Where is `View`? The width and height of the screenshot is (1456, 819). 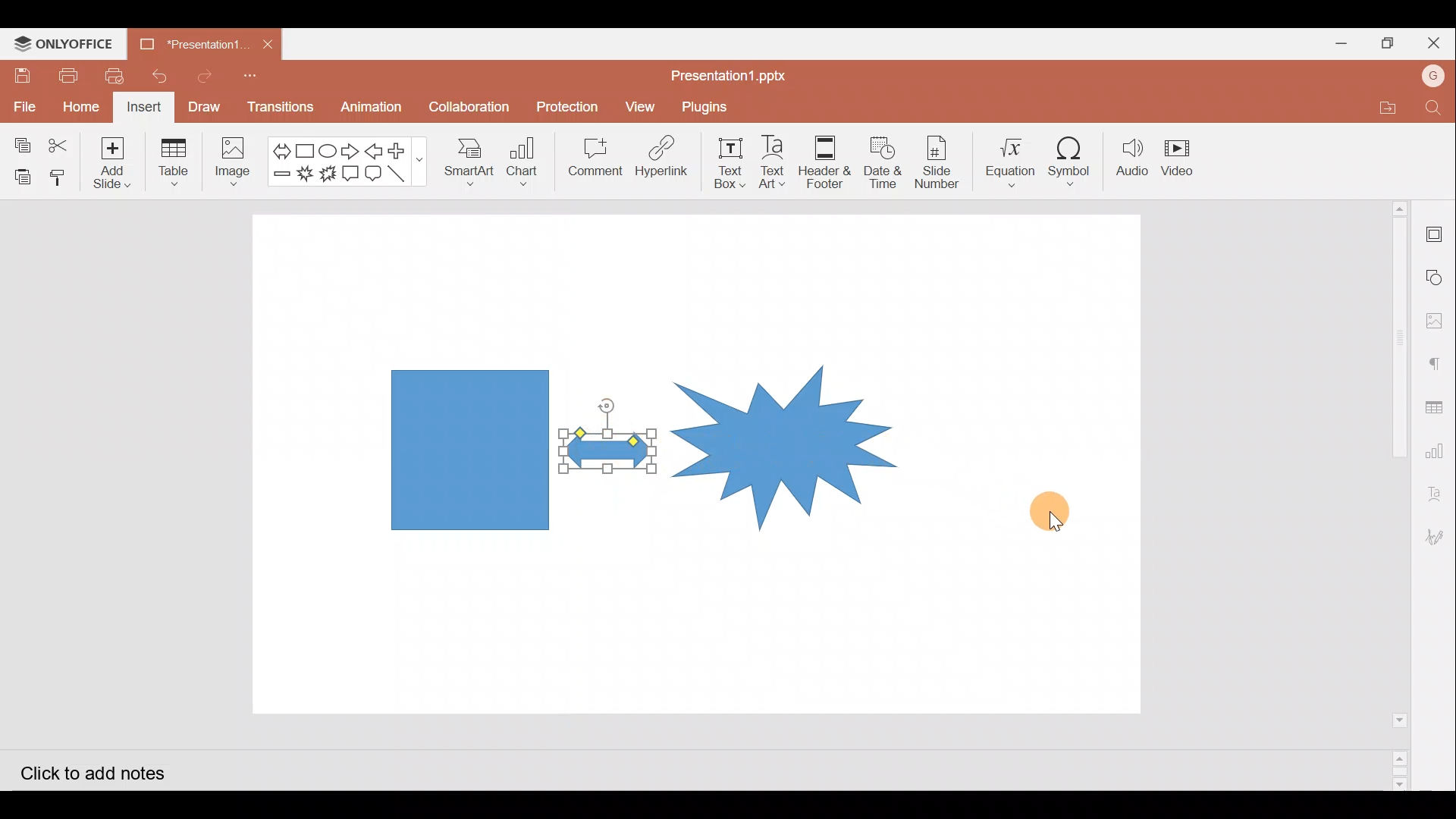
View is located at coordinates (640, 106).